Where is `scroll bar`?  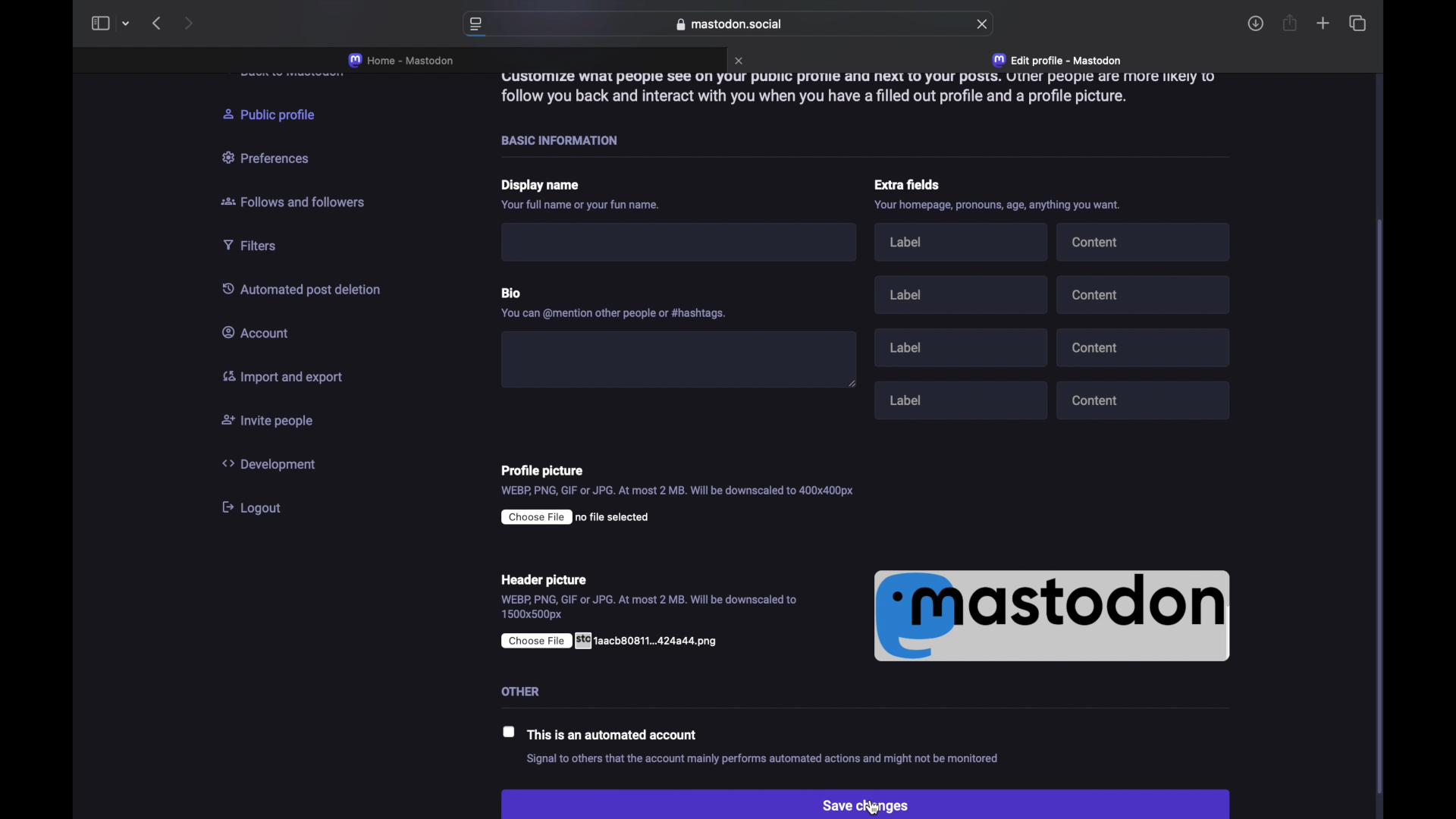
scroll bar is located at coordinates (1383, 506).